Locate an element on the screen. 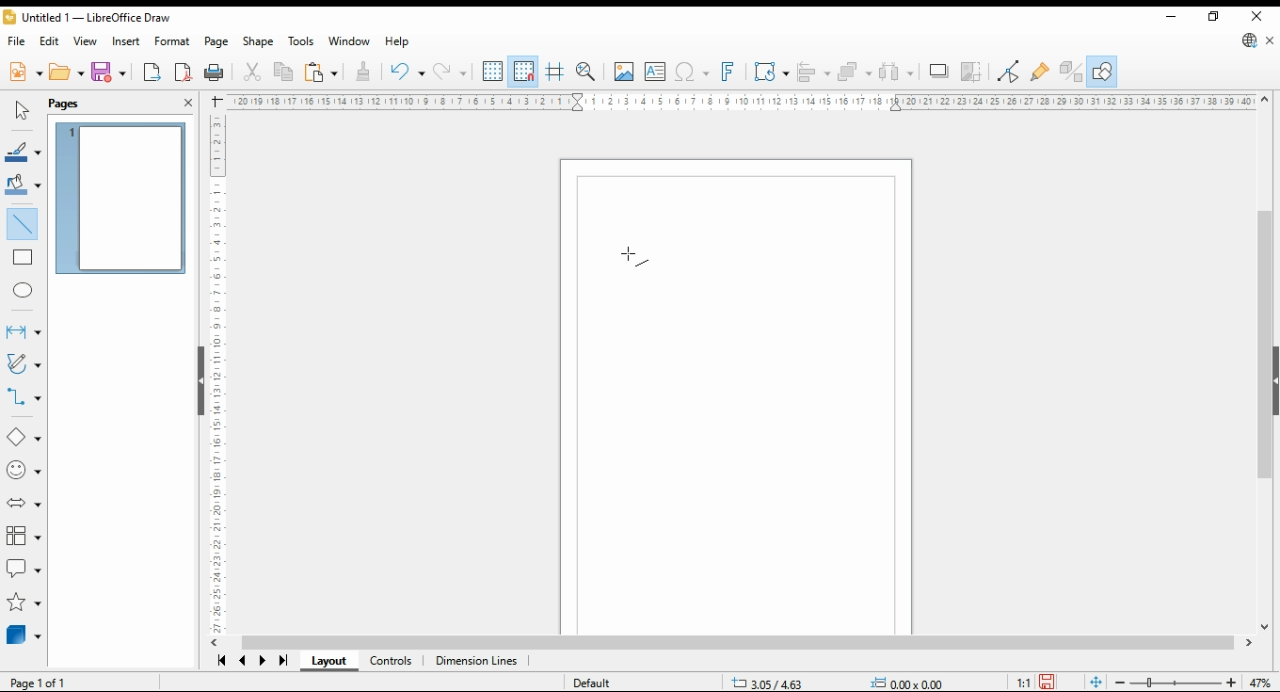 This screenshot has height=692, width=1280. insert is located at coordinates (127, 41).